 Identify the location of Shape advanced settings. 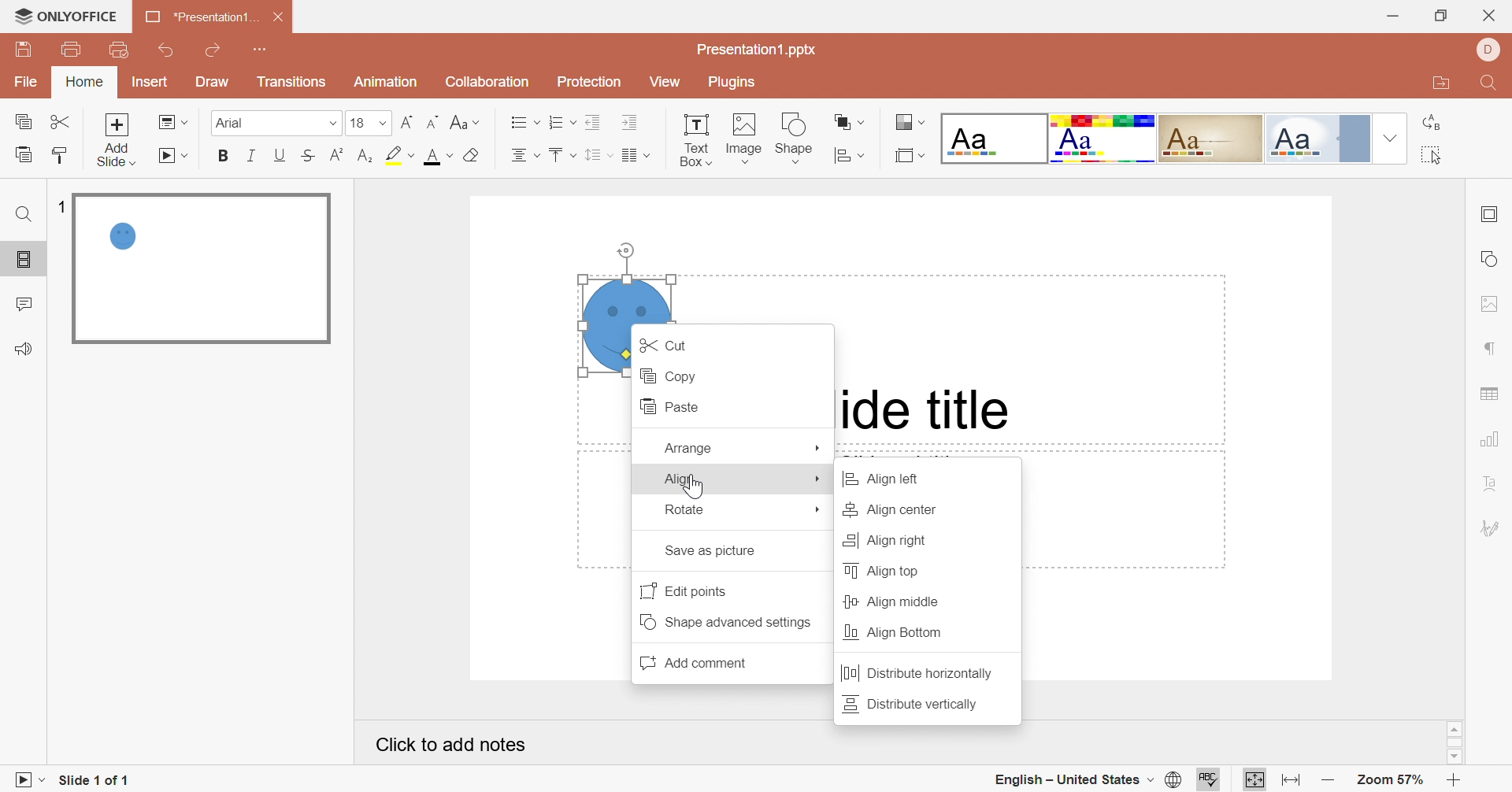
(732, 622).